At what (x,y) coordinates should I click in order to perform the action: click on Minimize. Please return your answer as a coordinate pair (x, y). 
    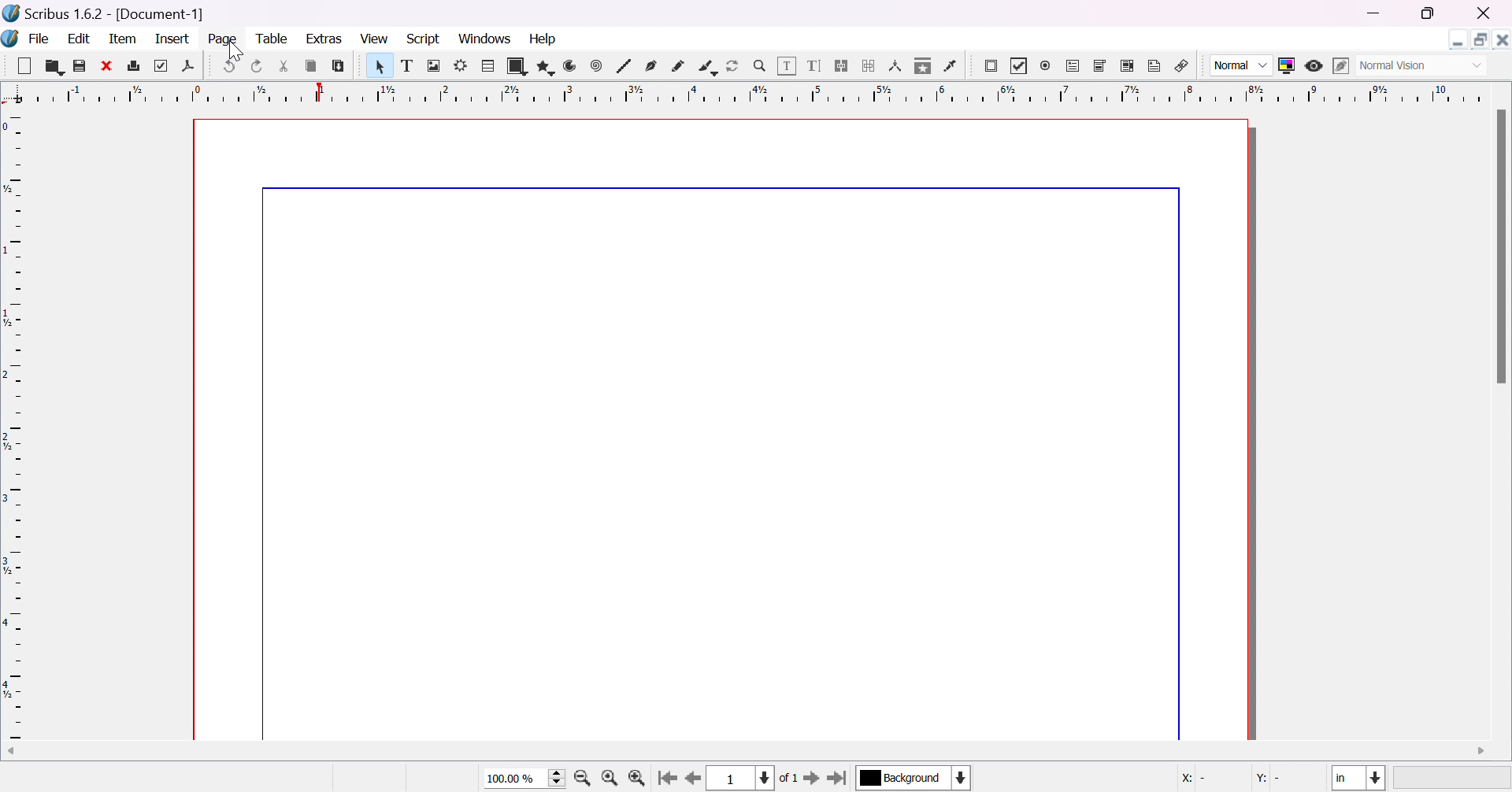
    Looking at the image, I should click on (1458, 39).